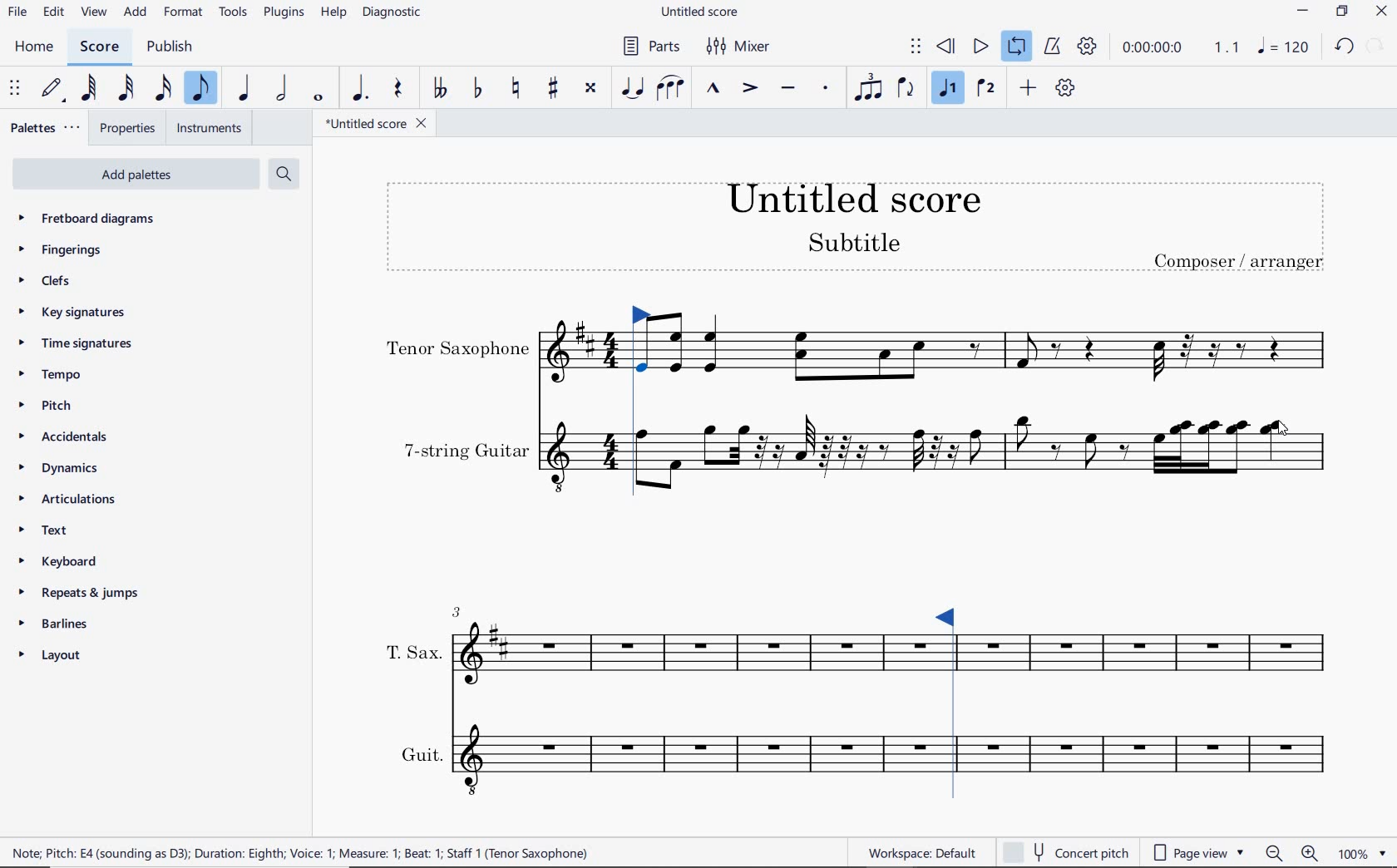  I want to click on INSTRUMENT: TENOR SAXOPHONE, so click(1008, 348).